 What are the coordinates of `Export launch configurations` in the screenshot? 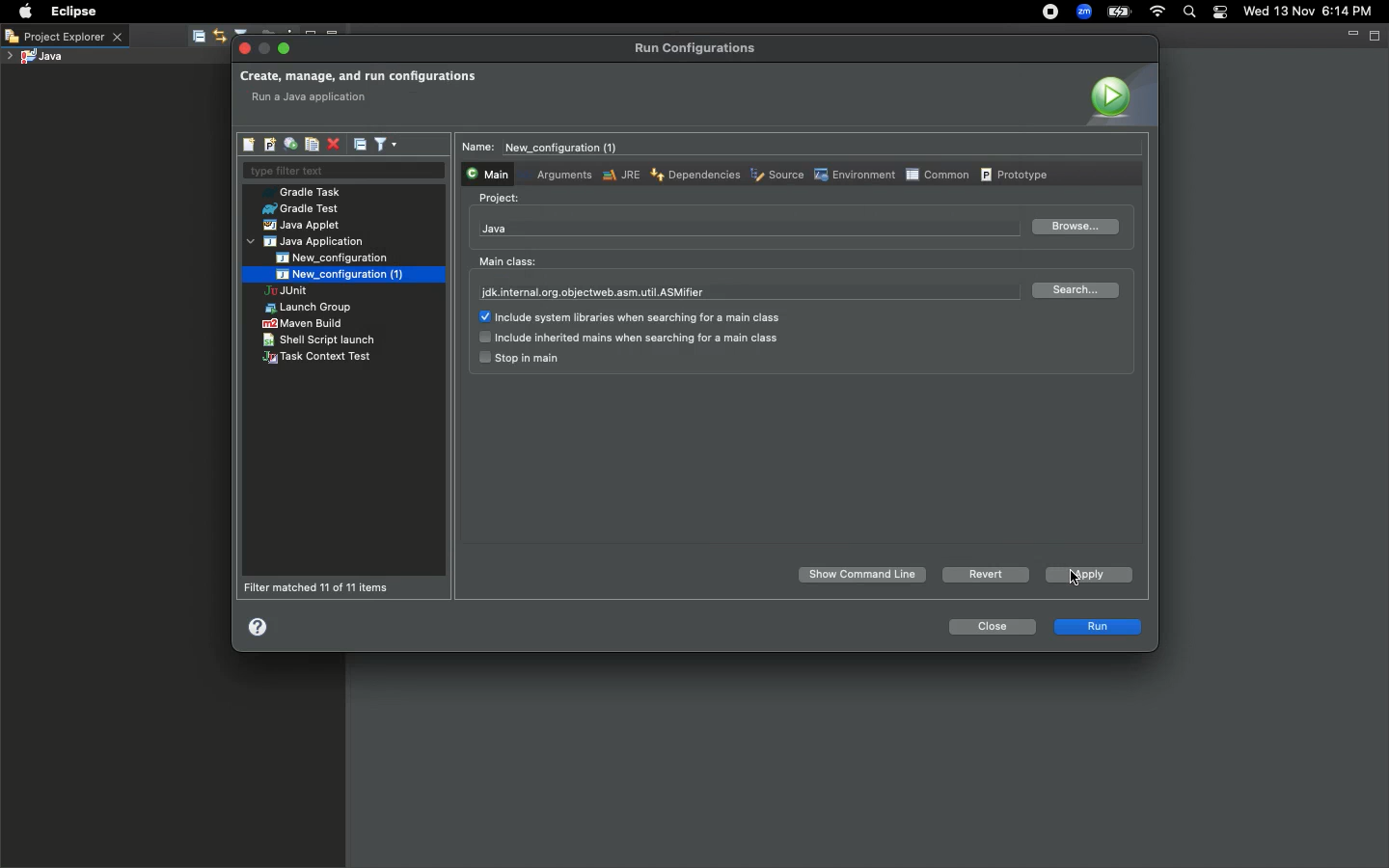 It's located at (289, 145).